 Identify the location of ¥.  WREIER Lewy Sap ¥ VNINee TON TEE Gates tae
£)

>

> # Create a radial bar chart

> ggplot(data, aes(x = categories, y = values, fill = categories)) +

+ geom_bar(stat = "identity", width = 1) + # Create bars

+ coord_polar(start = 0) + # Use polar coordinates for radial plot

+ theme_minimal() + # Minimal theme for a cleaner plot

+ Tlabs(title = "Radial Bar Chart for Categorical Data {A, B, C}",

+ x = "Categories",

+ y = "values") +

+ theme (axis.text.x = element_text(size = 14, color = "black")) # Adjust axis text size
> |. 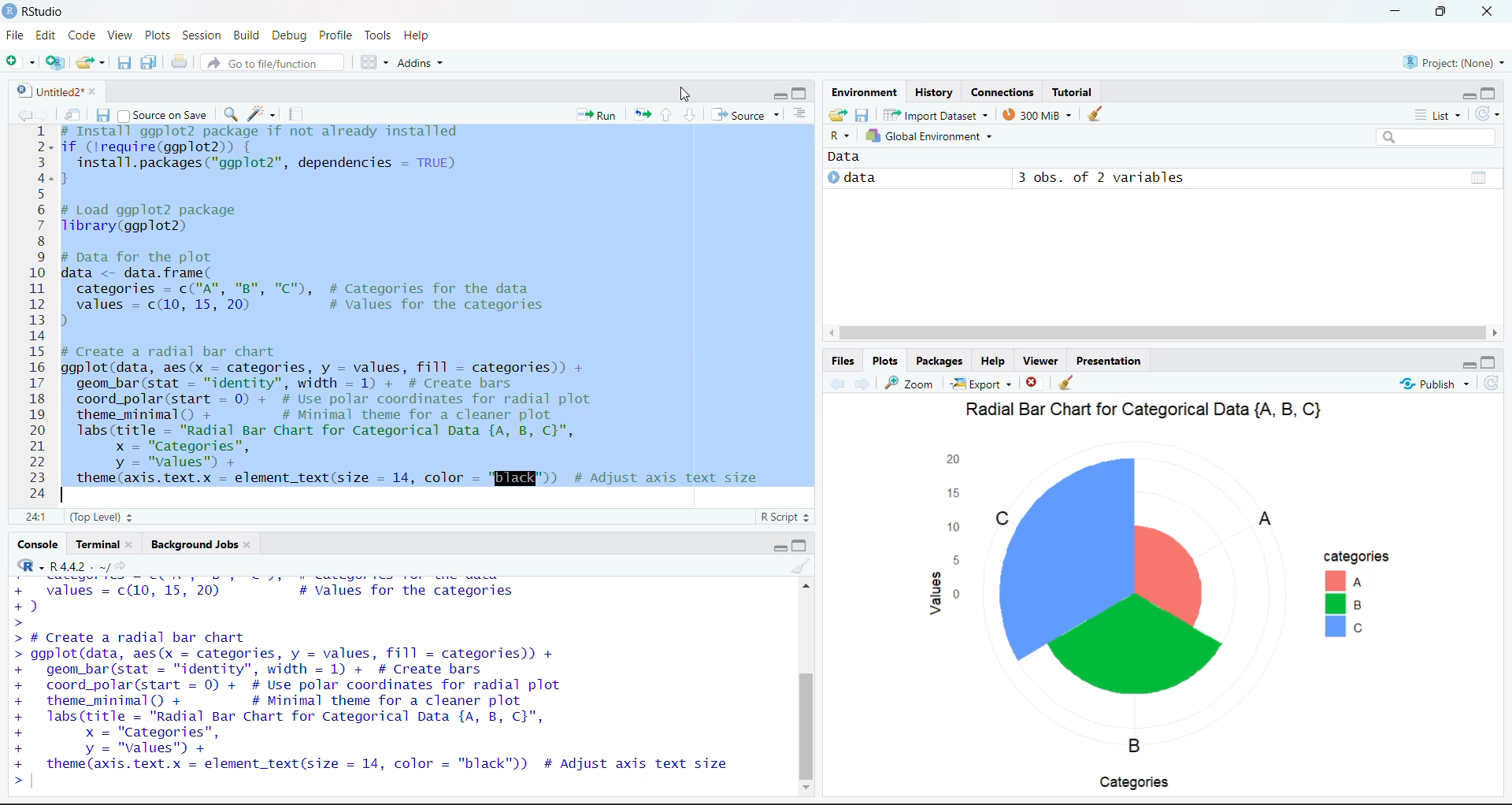
(376, 687).